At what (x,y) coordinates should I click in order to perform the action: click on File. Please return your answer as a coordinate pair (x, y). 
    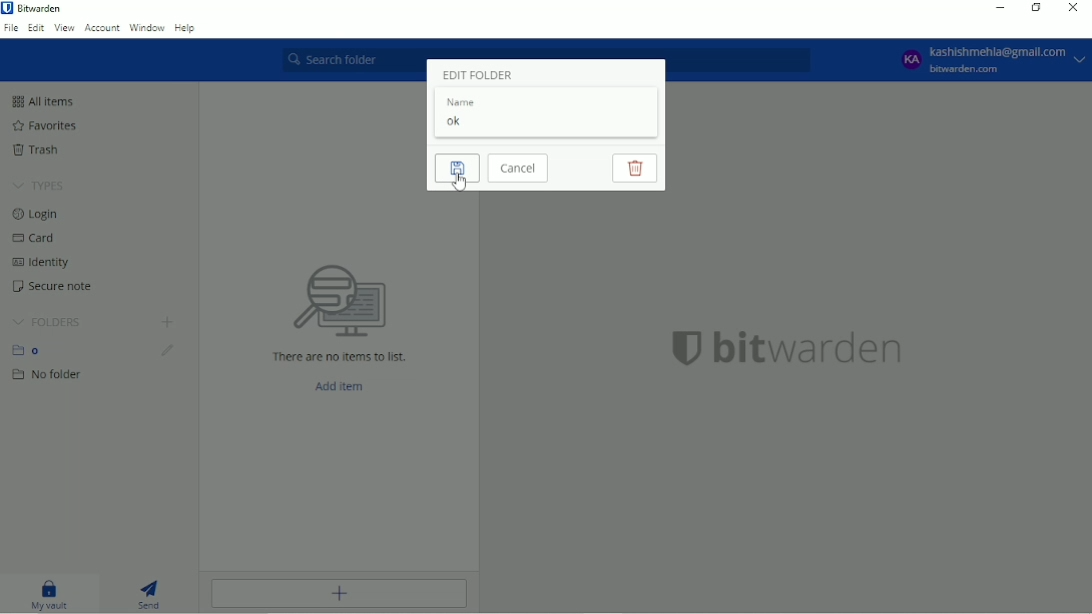
    Looking at the image, I should click on (11, 28).